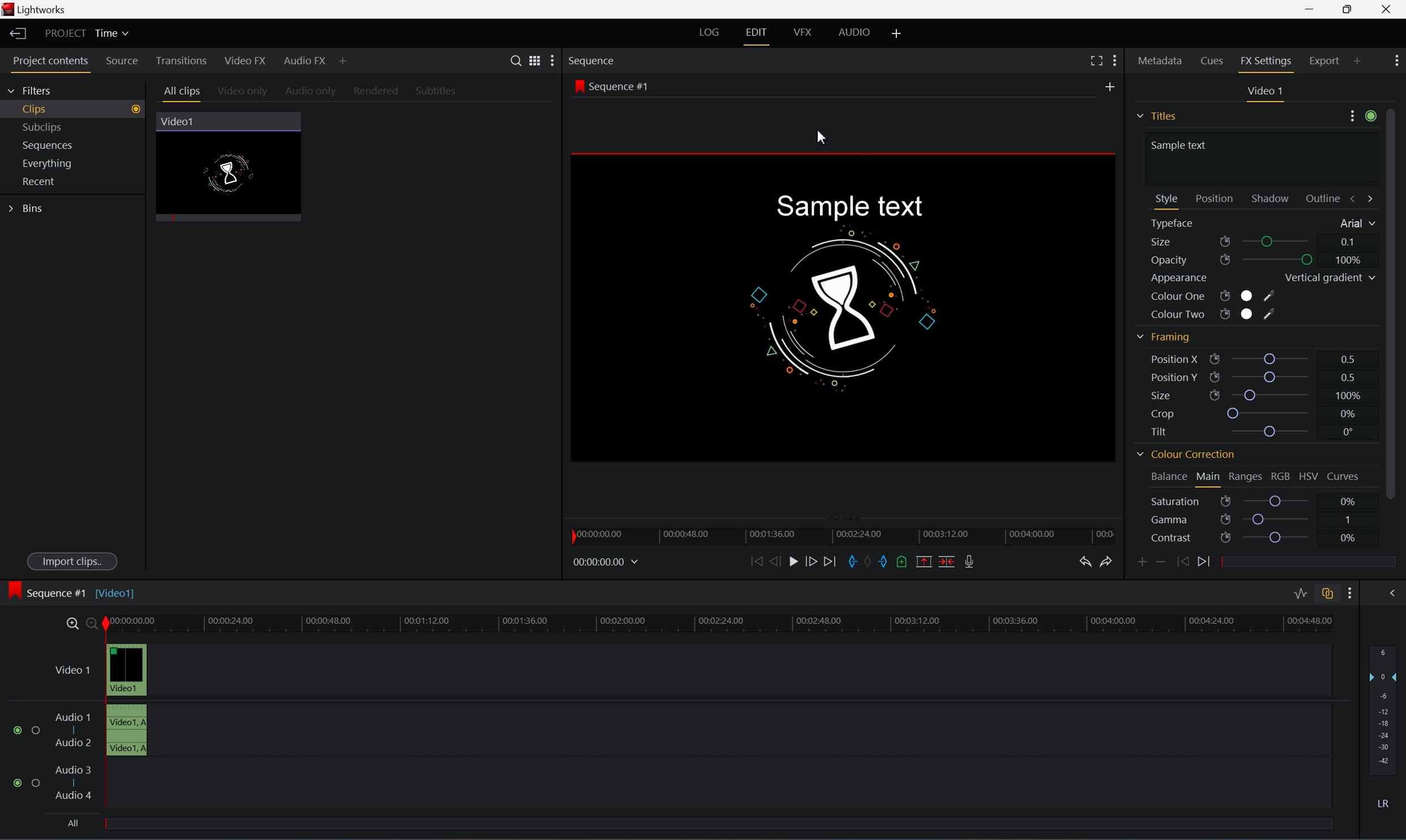 This screenshot has height=840, width=1406. I want to click on appearance, so click(1180, 279).